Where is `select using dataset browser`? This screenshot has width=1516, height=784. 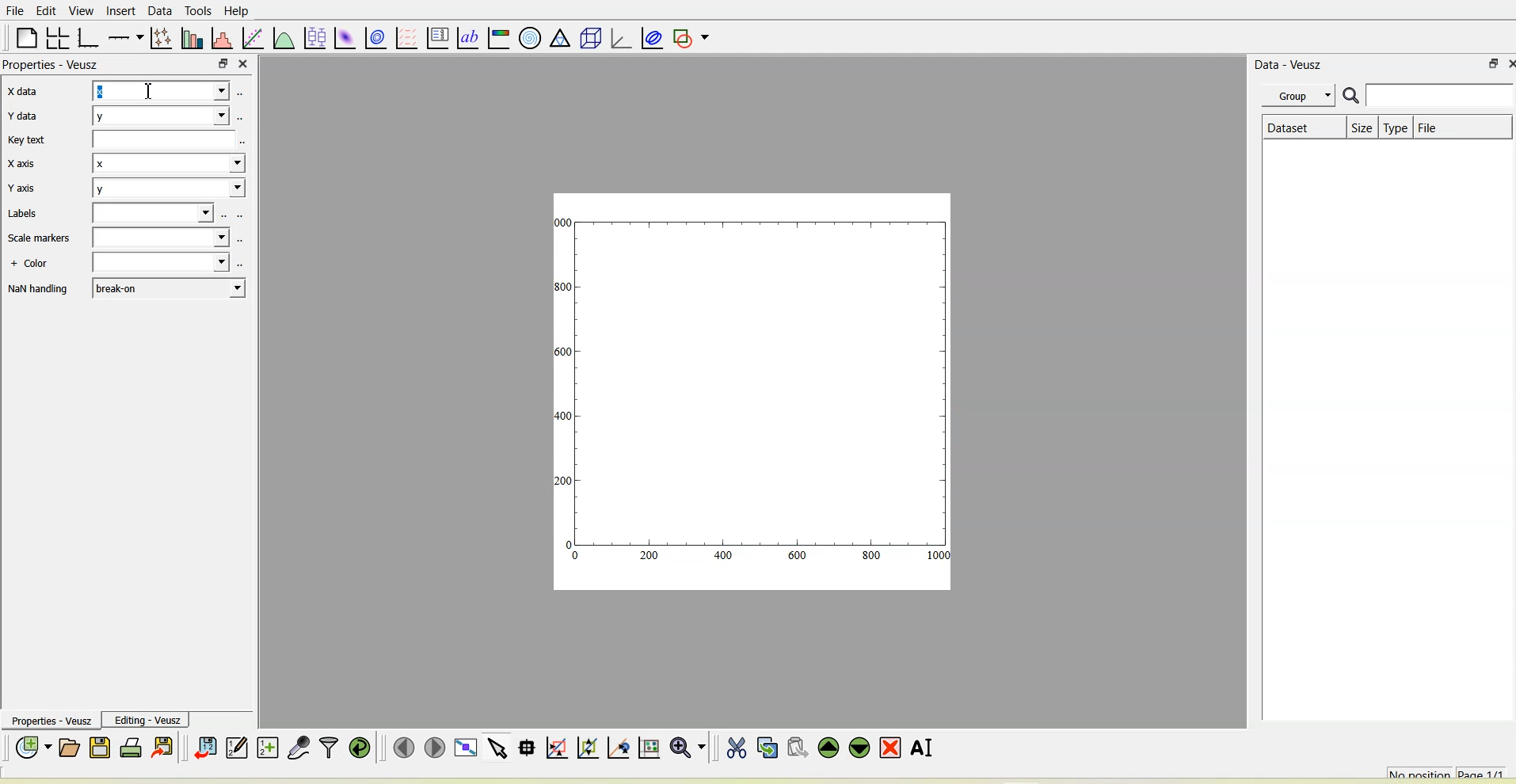 select using dataset browser is located at coordinates (241, 91).